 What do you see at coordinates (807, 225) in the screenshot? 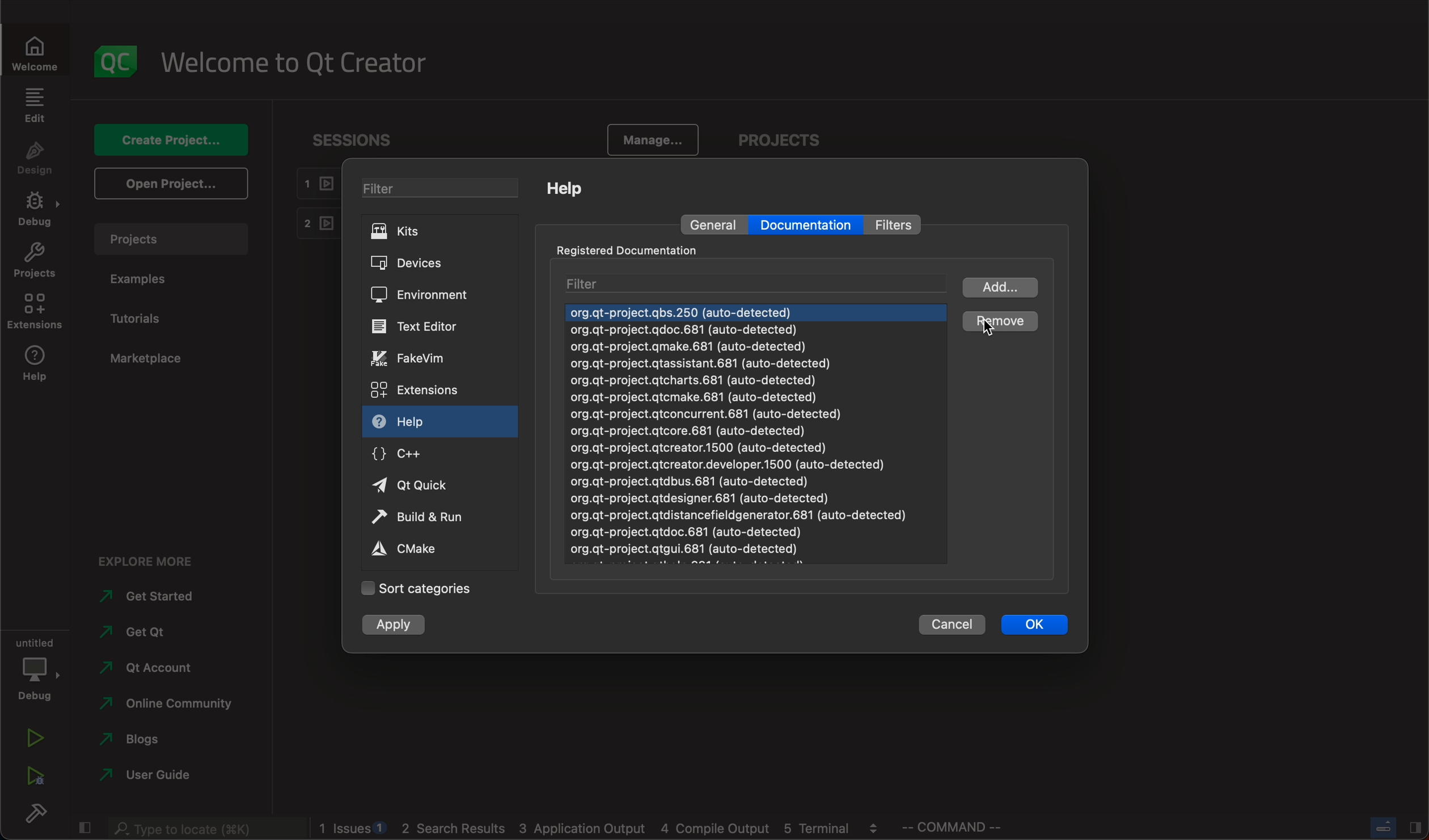
I see `documentation` at bounding box center [807, 225].